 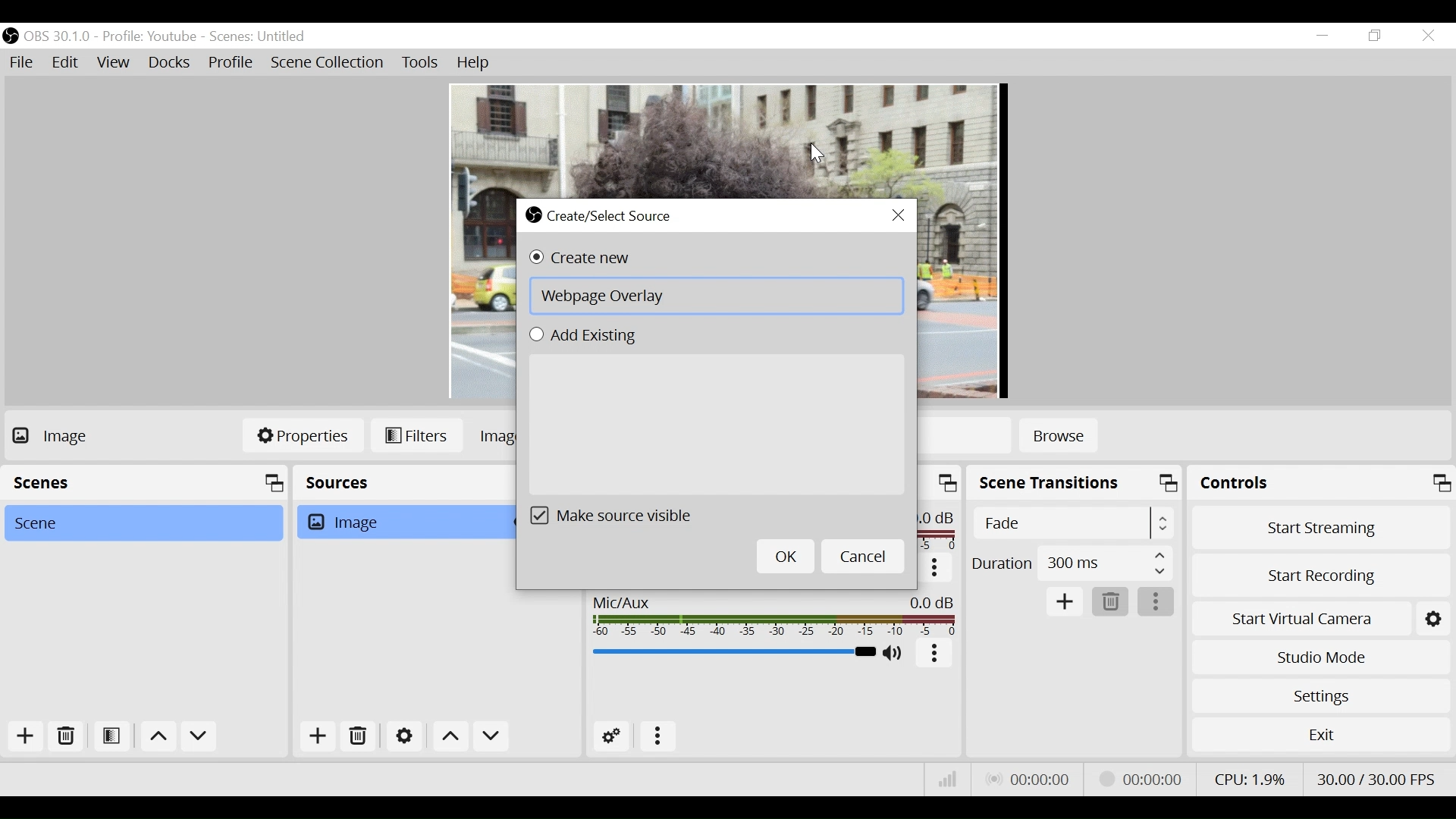 I want to click on Start Recording, so click(x=1319, y=576).